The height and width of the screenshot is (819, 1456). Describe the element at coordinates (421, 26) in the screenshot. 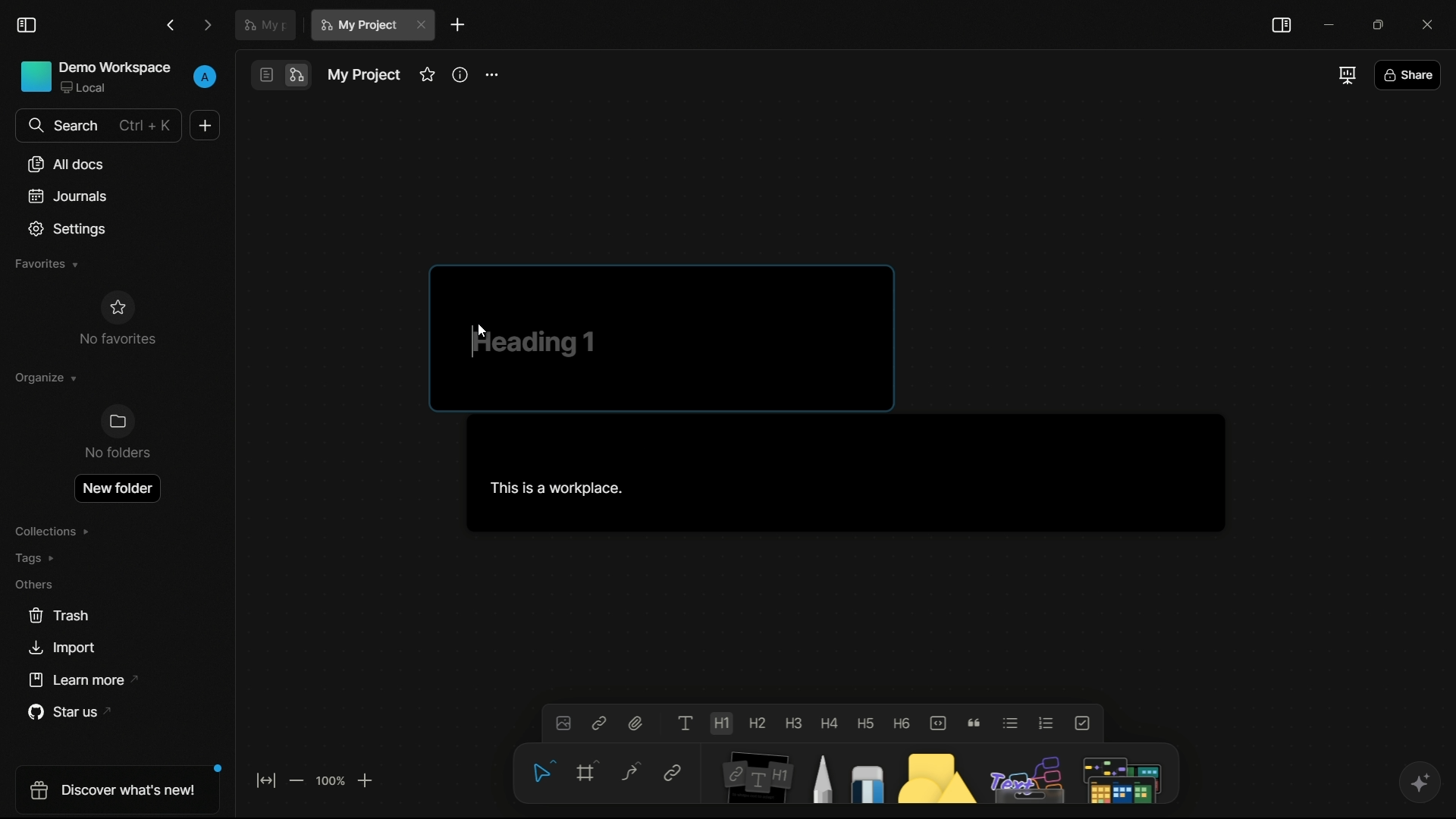

I see `close` at that location.